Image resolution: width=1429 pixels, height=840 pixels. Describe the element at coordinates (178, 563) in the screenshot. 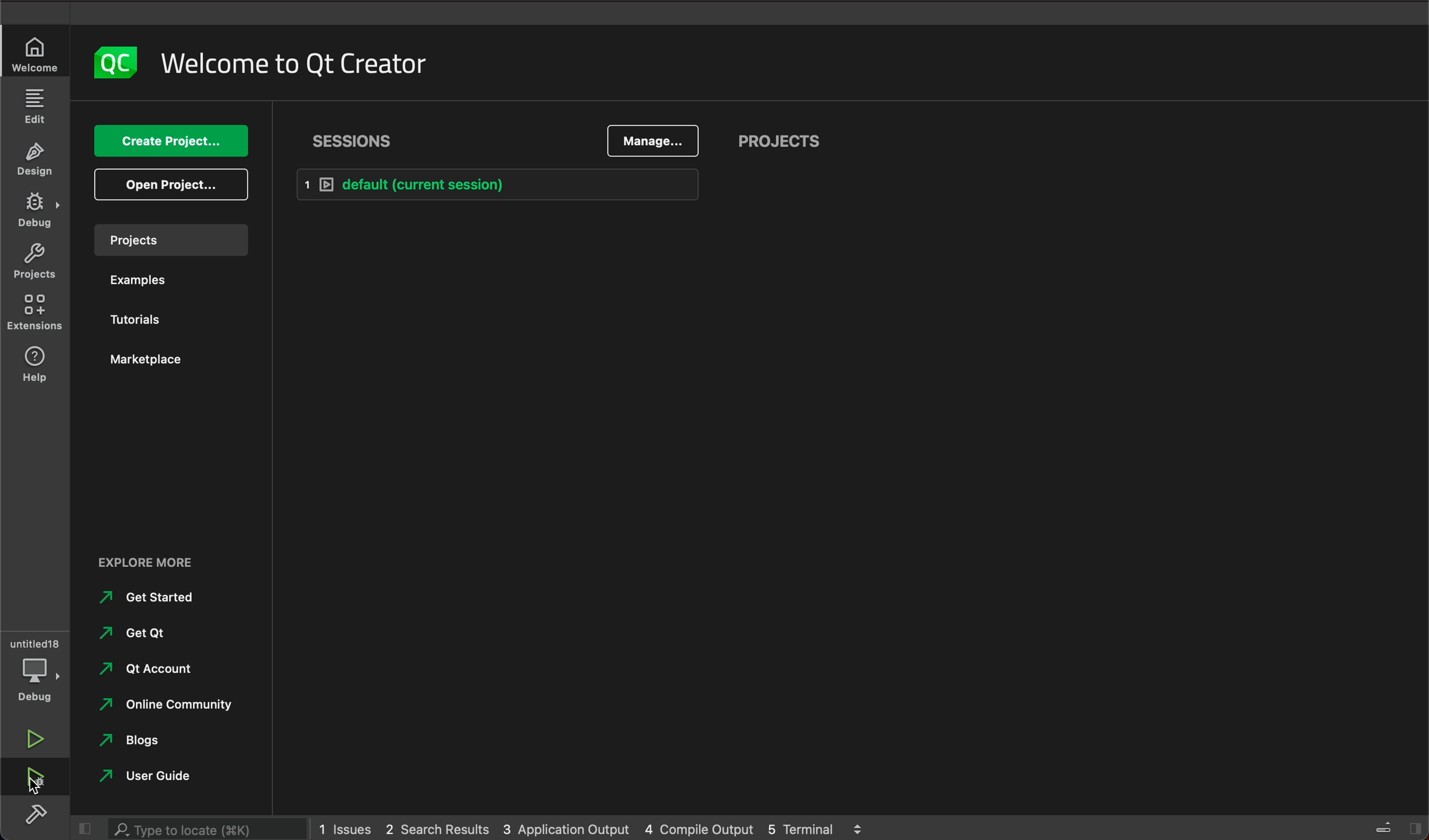

I see `external links` at that location.